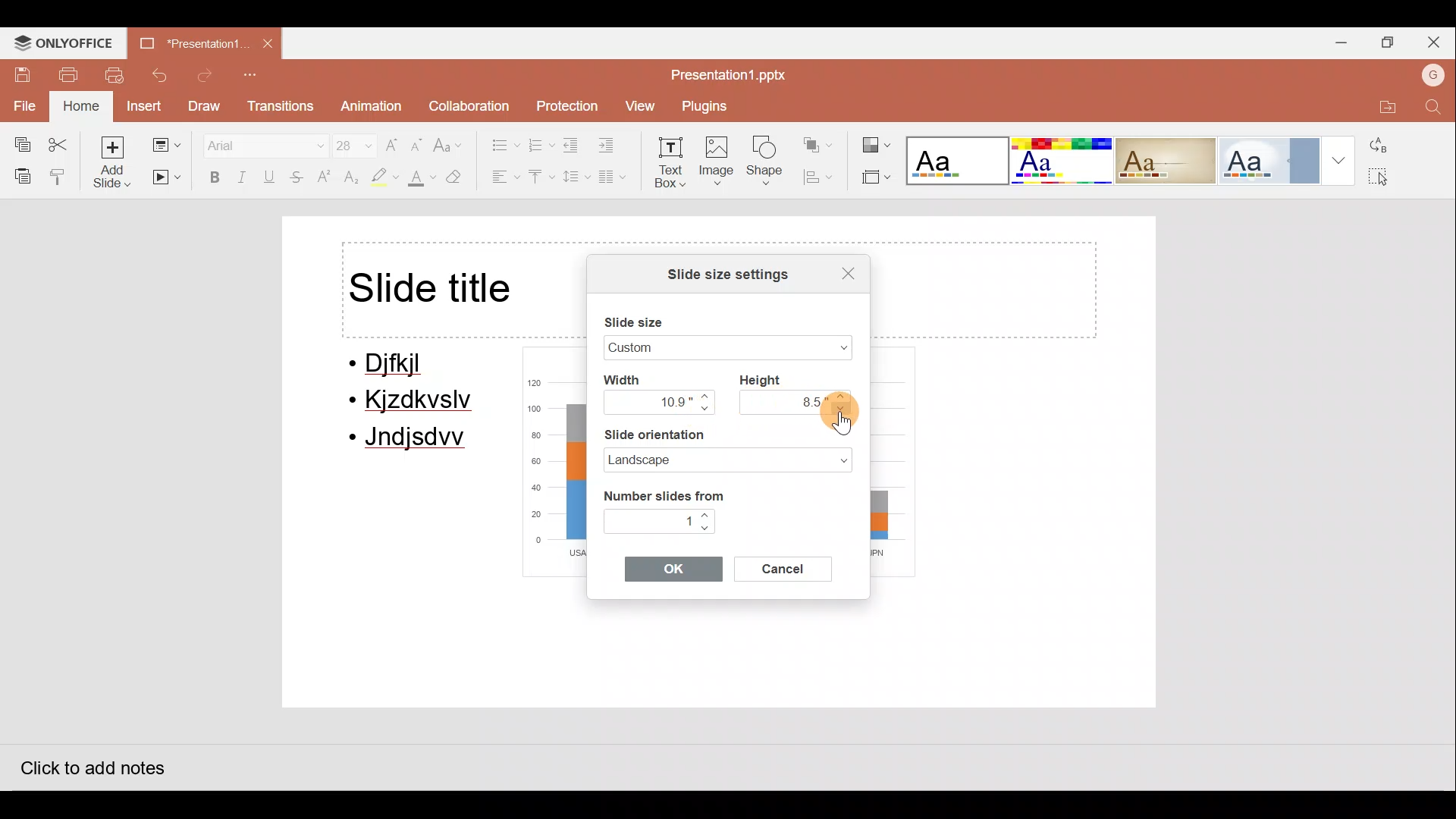 The width and height of the screenshot is (1456, 819). I want to click on Decrease indent, so click(573, 145).